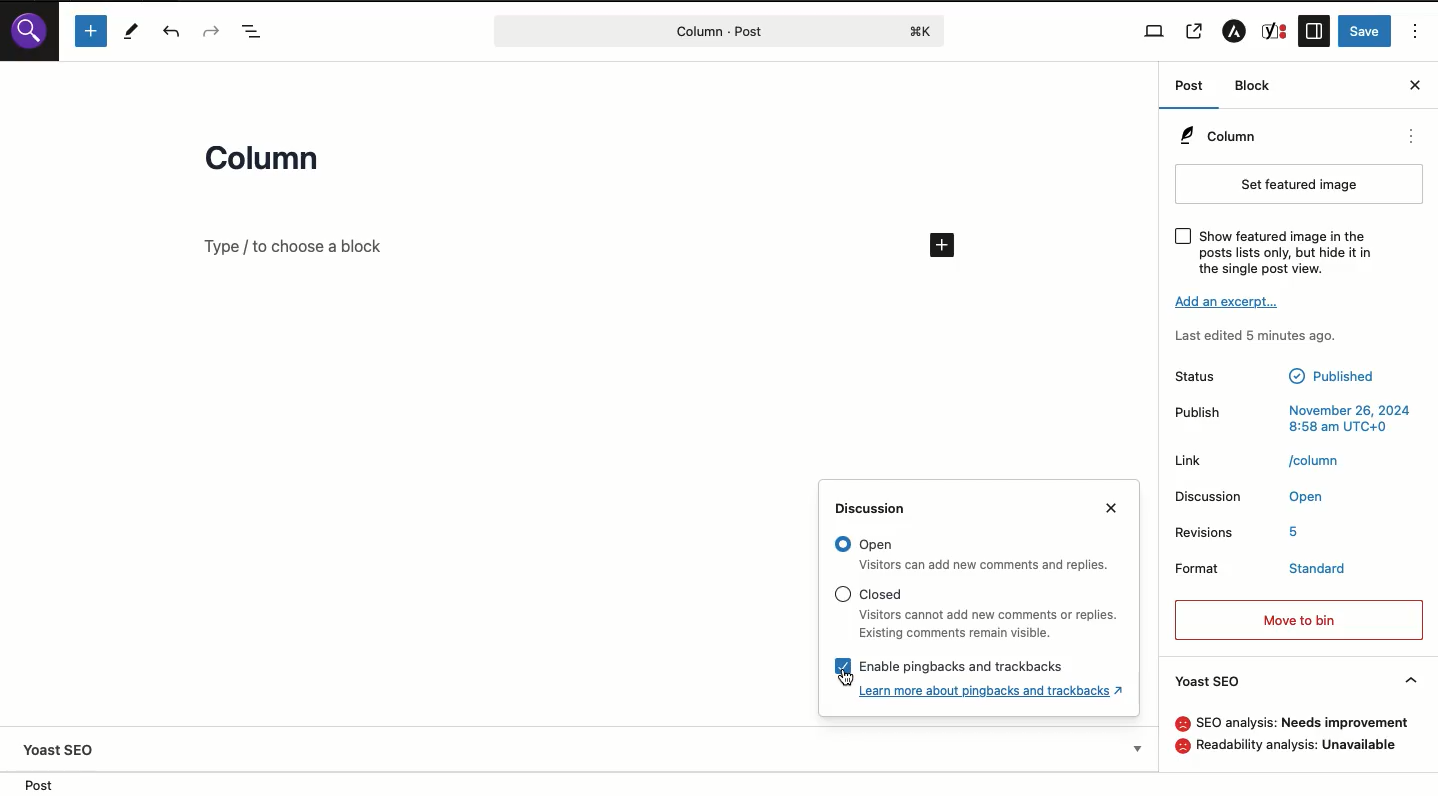 The height and width of the screenshot is (796, 1438). I want to click on Drop-down , so click(1140, 748).